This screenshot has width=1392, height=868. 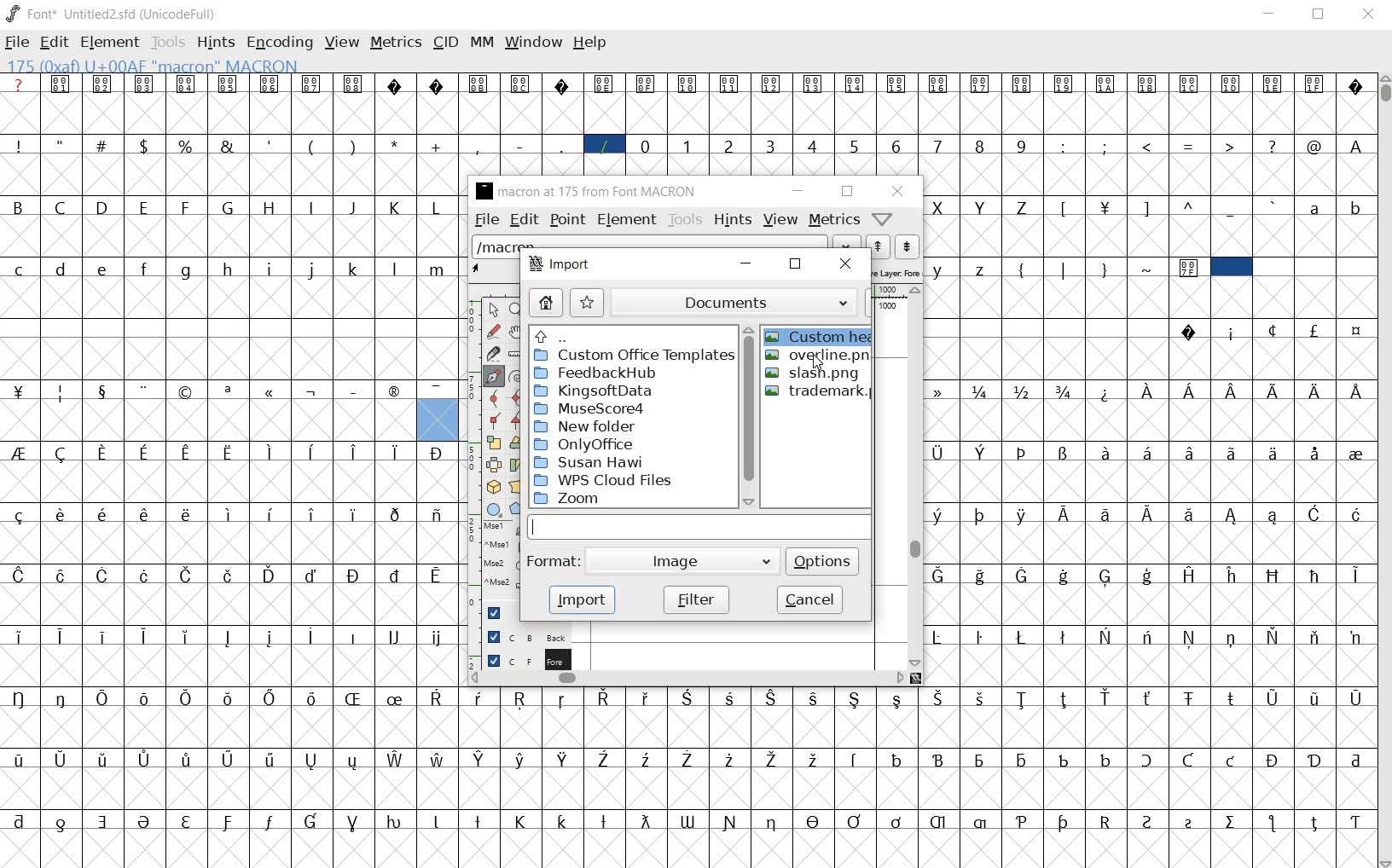 What do you see at coordinates (216, 43) in the screenshot?
I see `hints` at bounding box center [216, 43].